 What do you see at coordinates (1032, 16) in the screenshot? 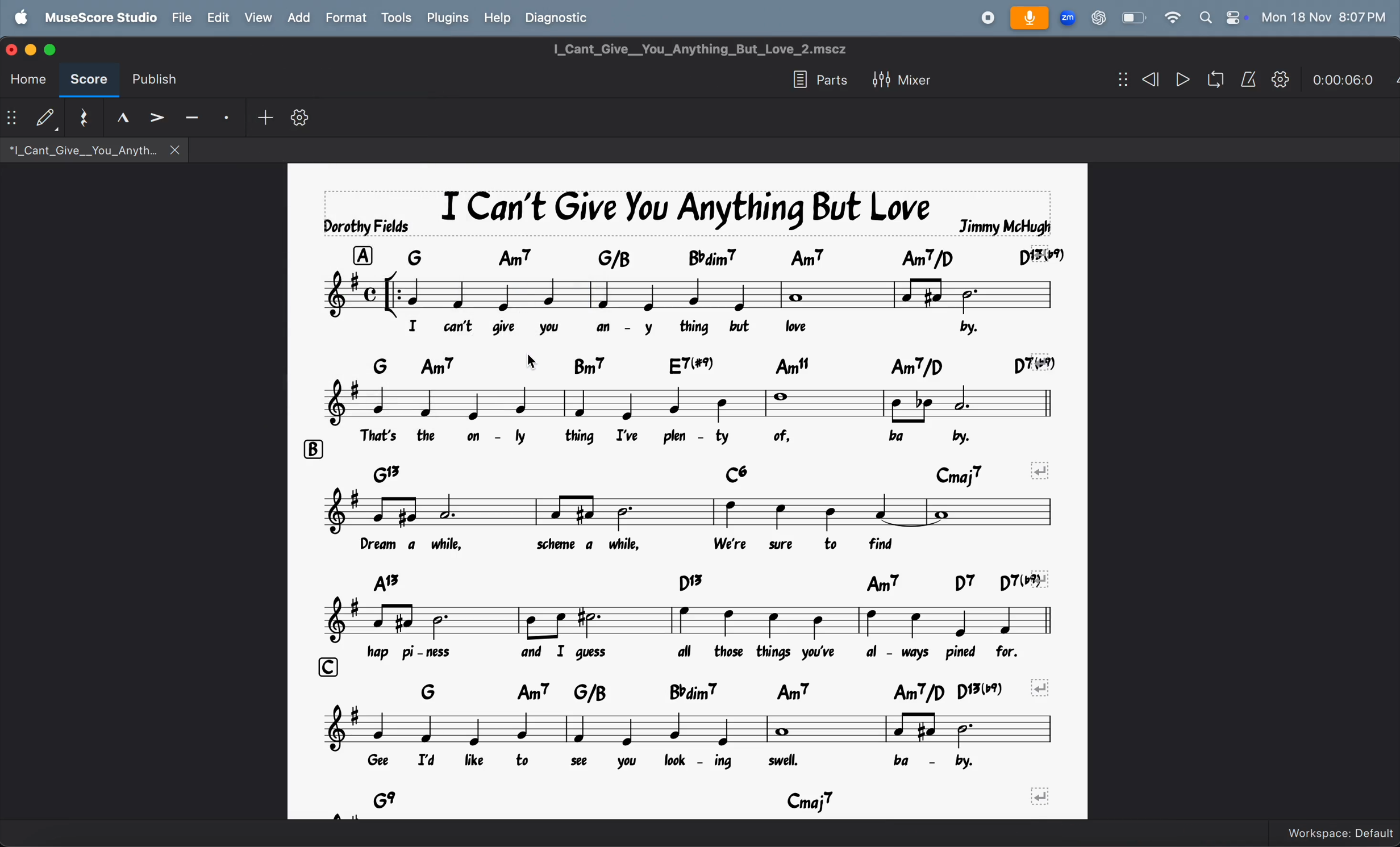
I see `microphone` at bounding box center [1032, 16].